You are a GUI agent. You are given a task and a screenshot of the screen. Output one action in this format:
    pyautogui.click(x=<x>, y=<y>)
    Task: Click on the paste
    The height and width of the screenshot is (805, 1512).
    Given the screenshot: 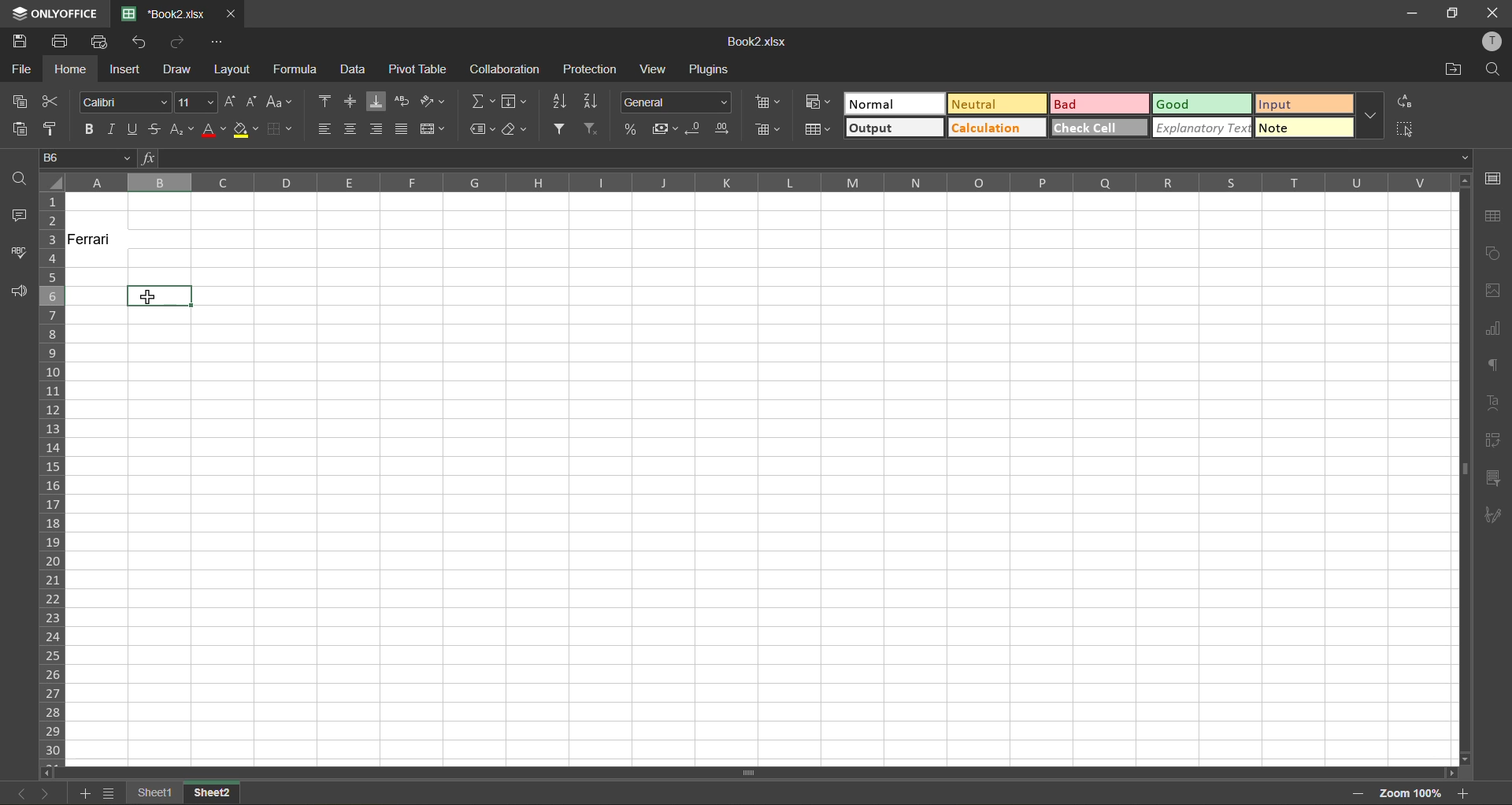 What is the action you would take?
    pyautogui.click(x=19, y=129)
    